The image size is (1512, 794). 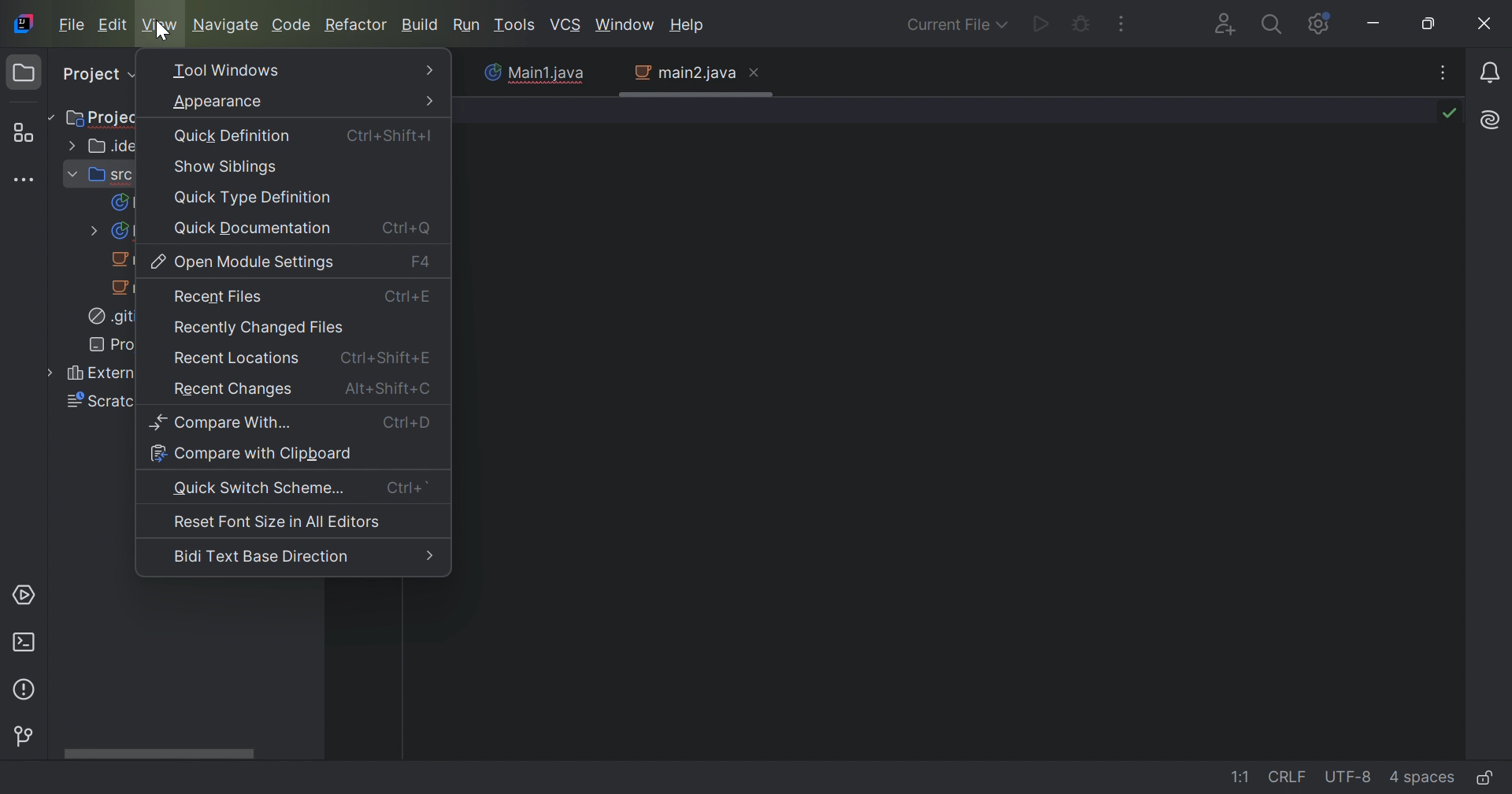 I want to click on Ctrl+E, so click(x=410, y=300).